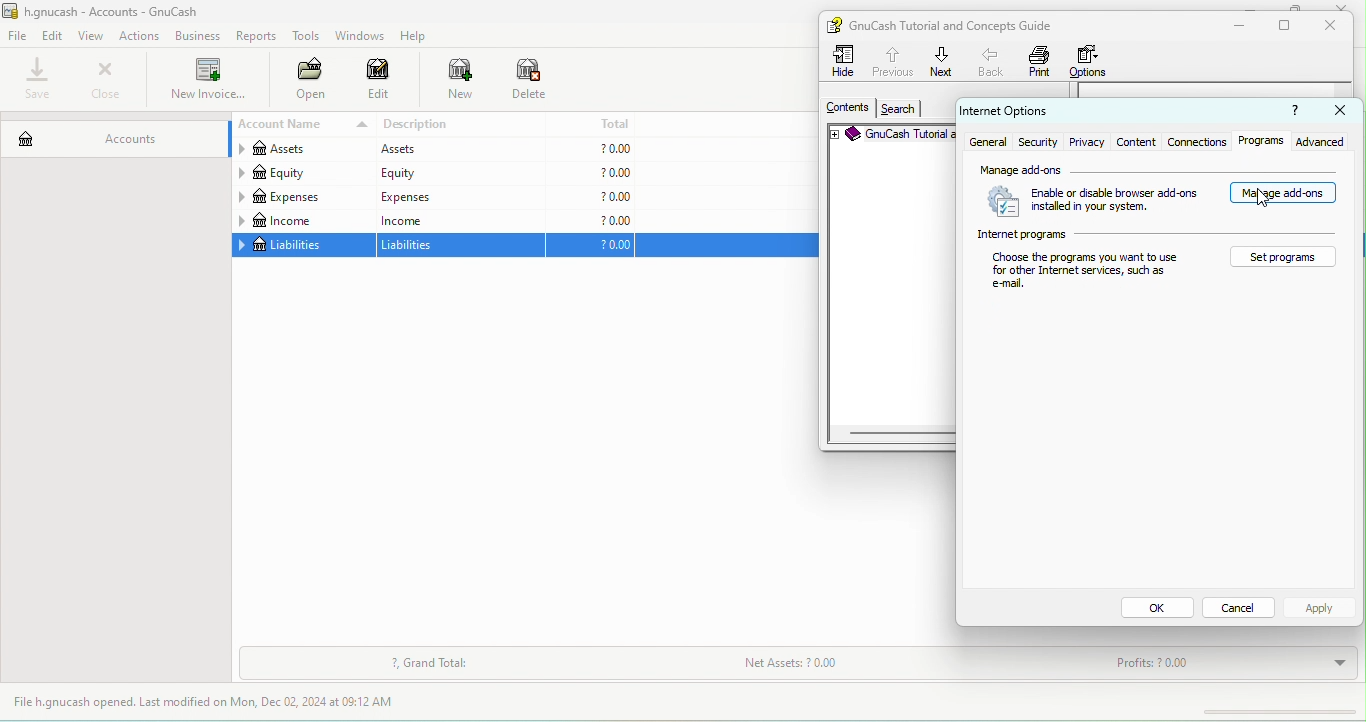 This screenshot has width=1366, height=722. What do you see at coordinates (54, 35) in the screenshot?
I see `edit` at bounding box center [54, 35].